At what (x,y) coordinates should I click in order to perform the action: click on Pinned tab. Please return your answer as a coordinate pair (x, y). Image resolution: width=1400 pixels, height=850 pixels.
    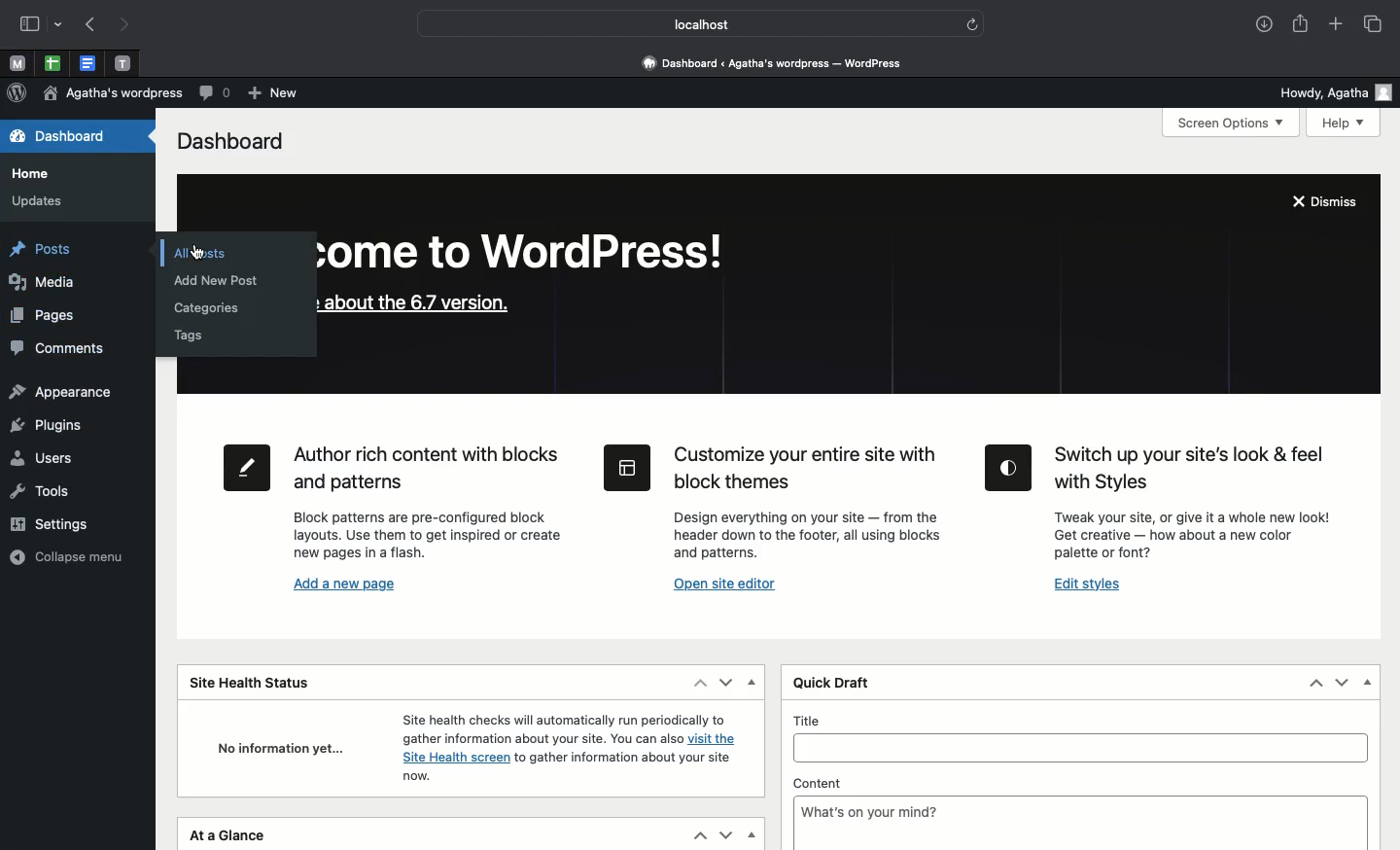
    Looking at the image, I should click on (122, 62).